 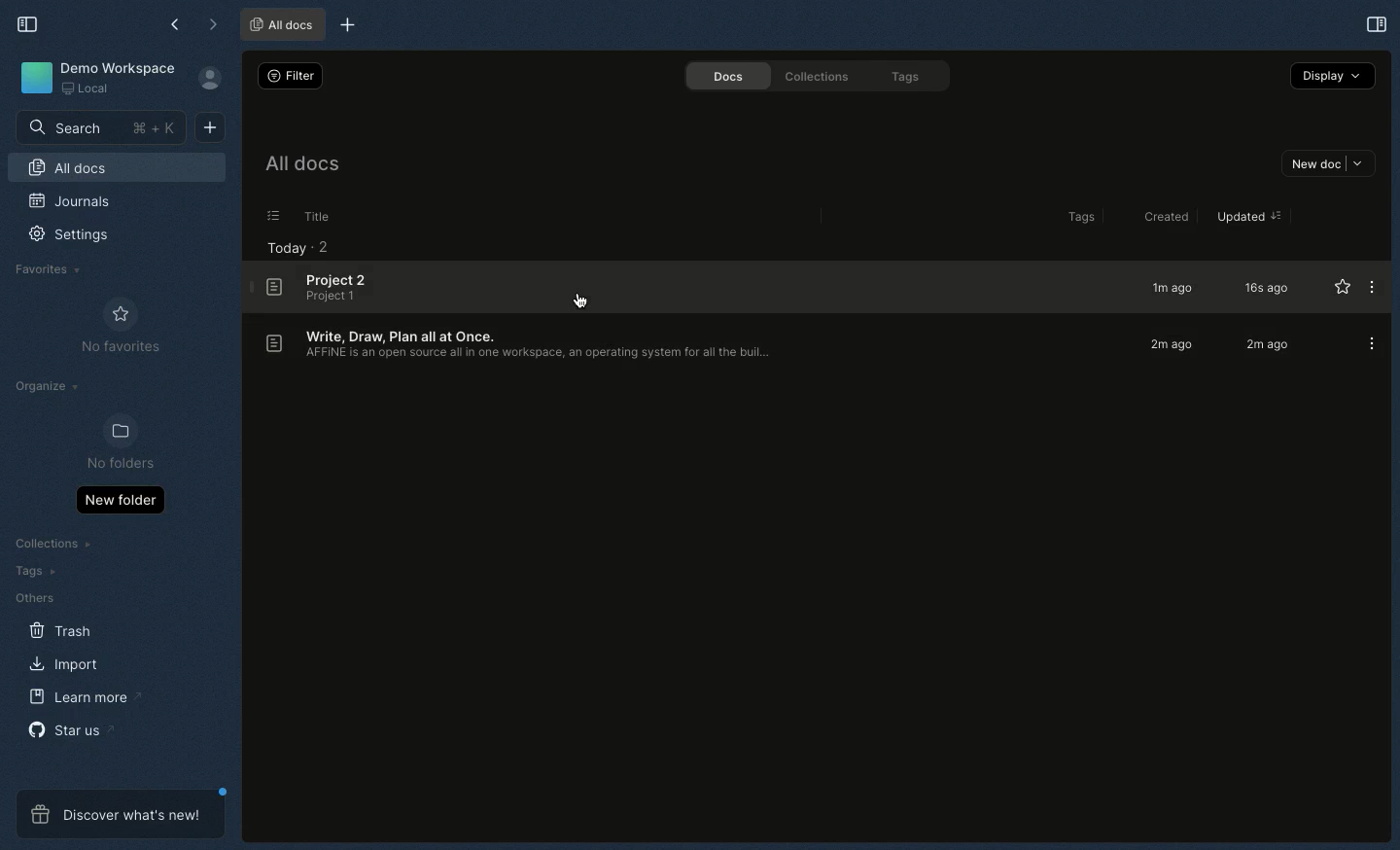 What do you see at coordinates (1343, 284) in the screenshot?
I see `Favourite` at bounding box center [1343, 284].